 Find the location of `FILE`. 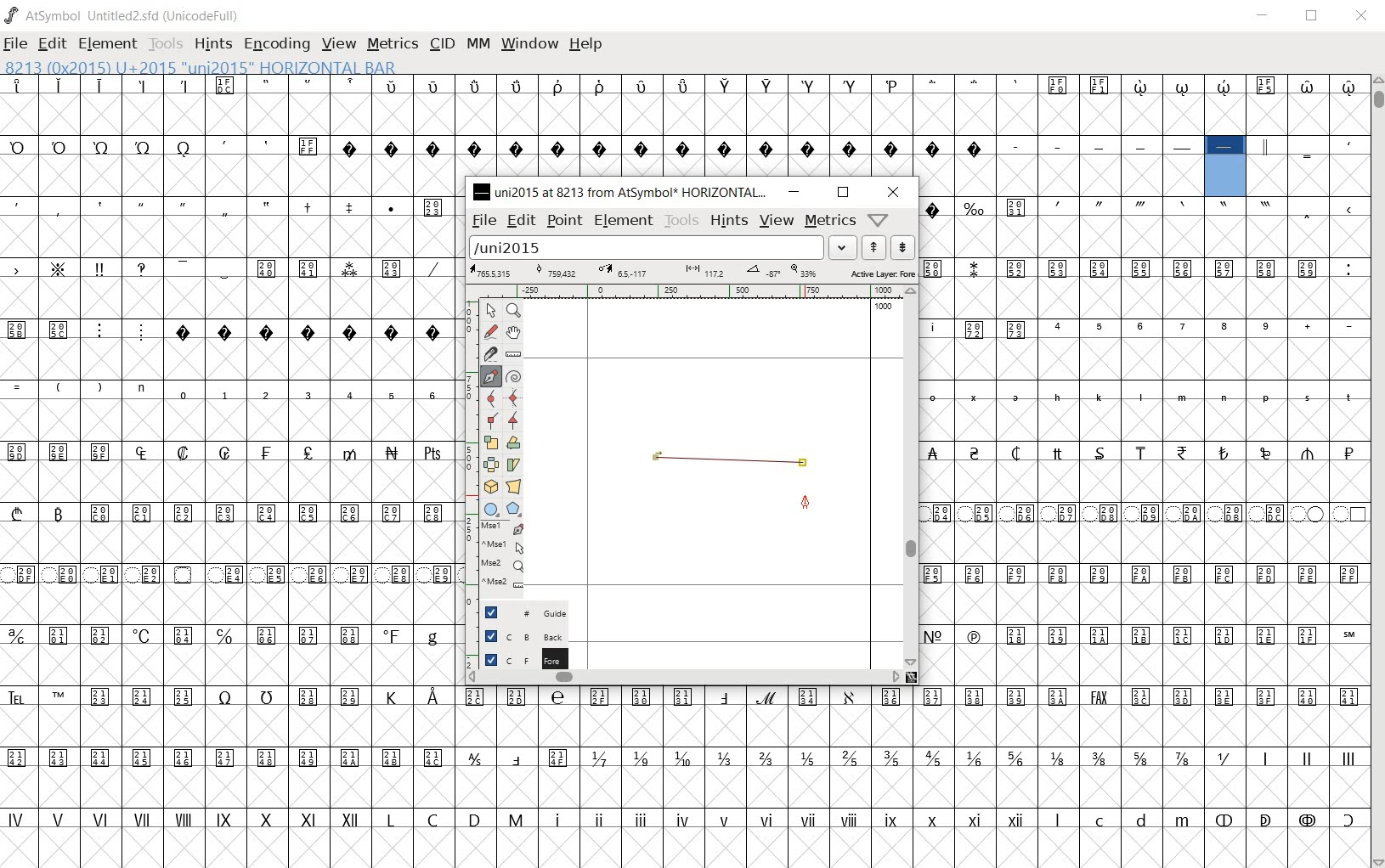

FILE is located at coordinates (18, 42).